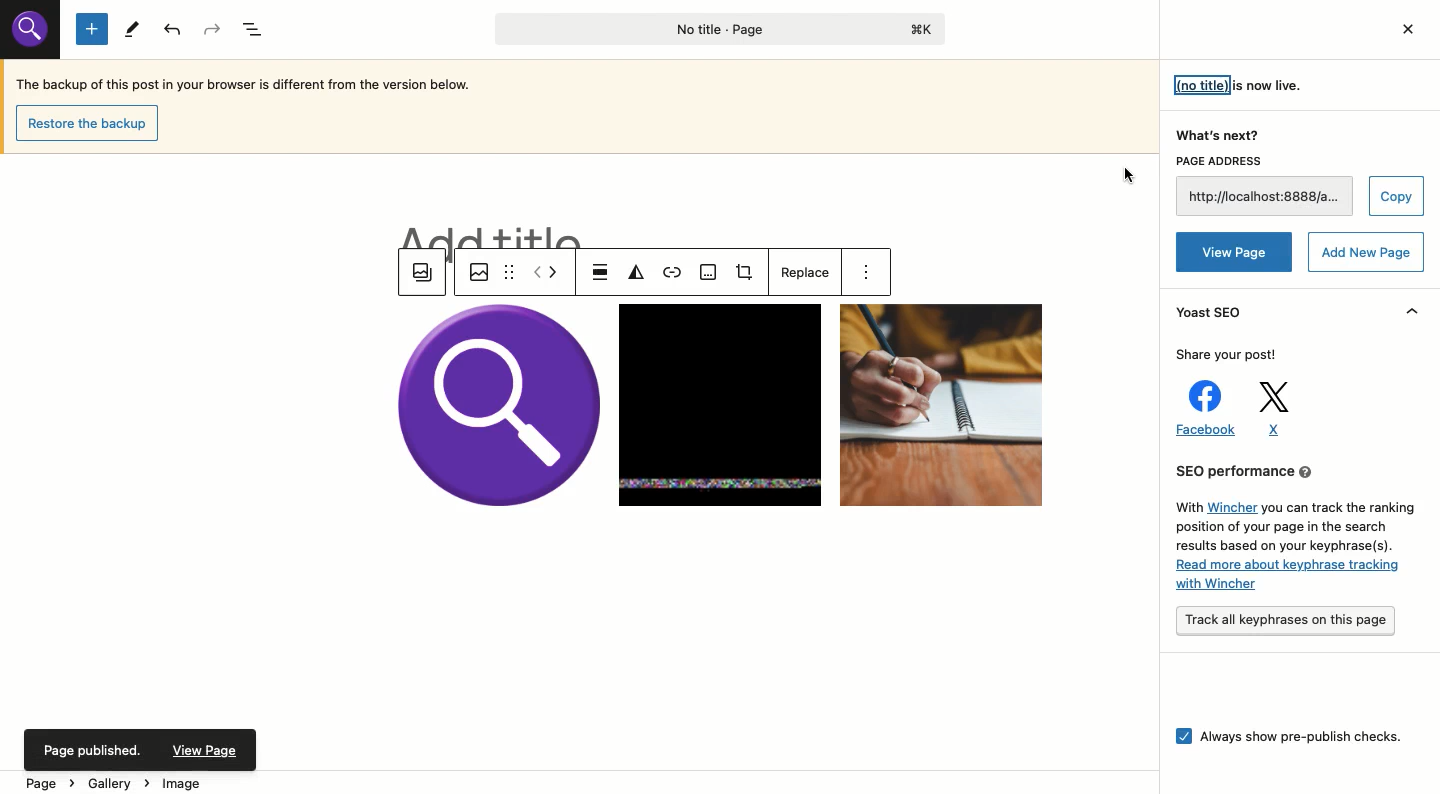  I want to click on Tools, so click(129, 28).